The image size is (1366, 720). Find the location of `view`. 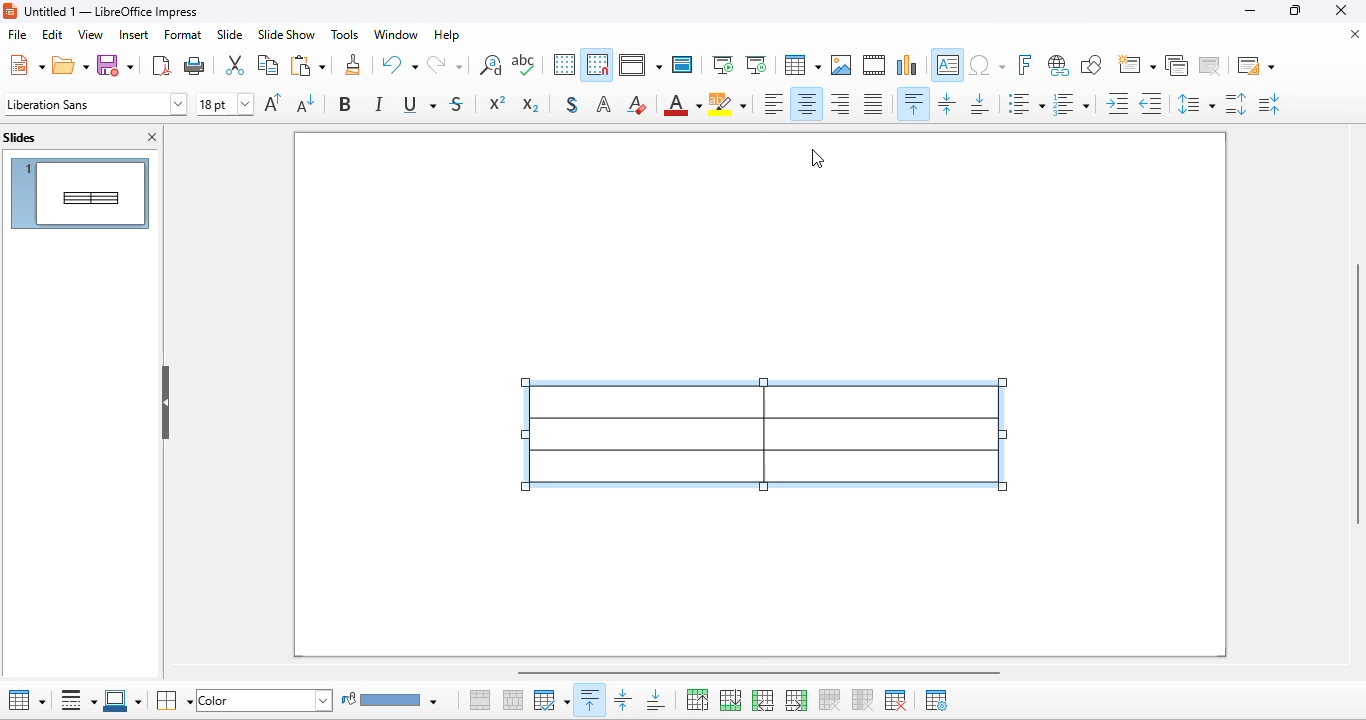

view is located at coordinates (640, 65).